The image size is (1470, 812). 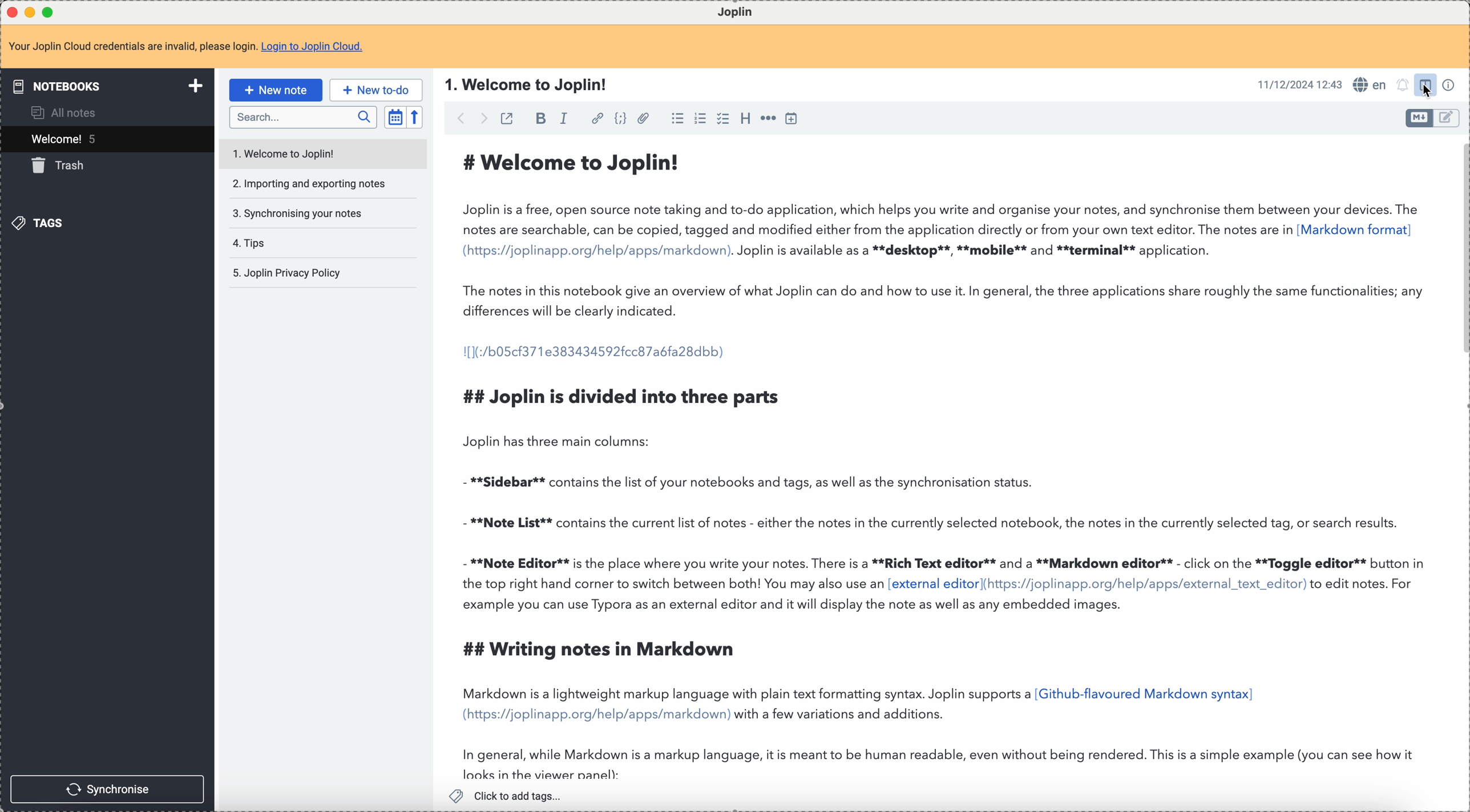 I want to click on numbered list, so click(x=702, y=118).